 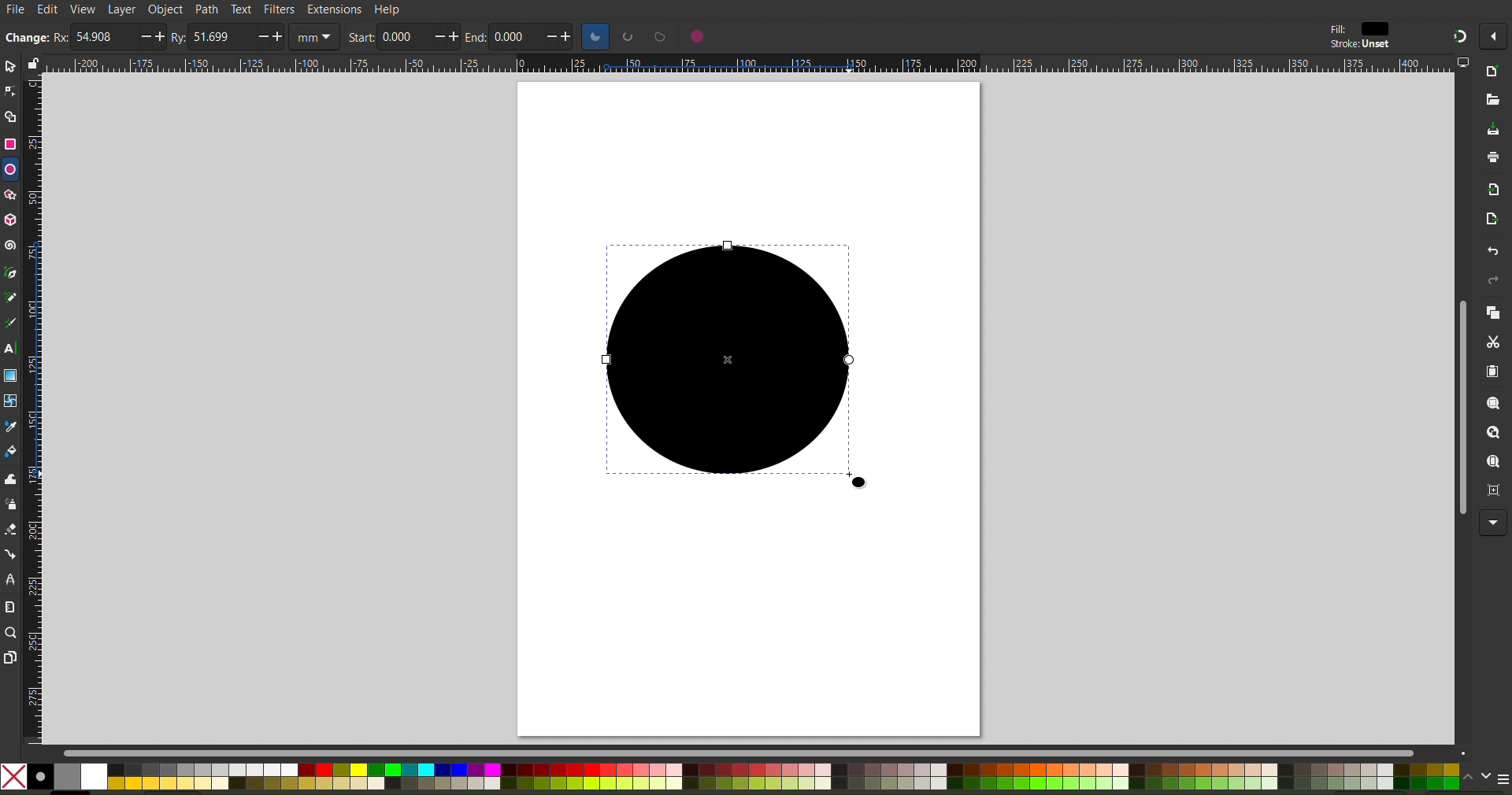 What do you see at coordinates (104, 38) in the screenshot?
I see `54` at bounding box center [104, 38].